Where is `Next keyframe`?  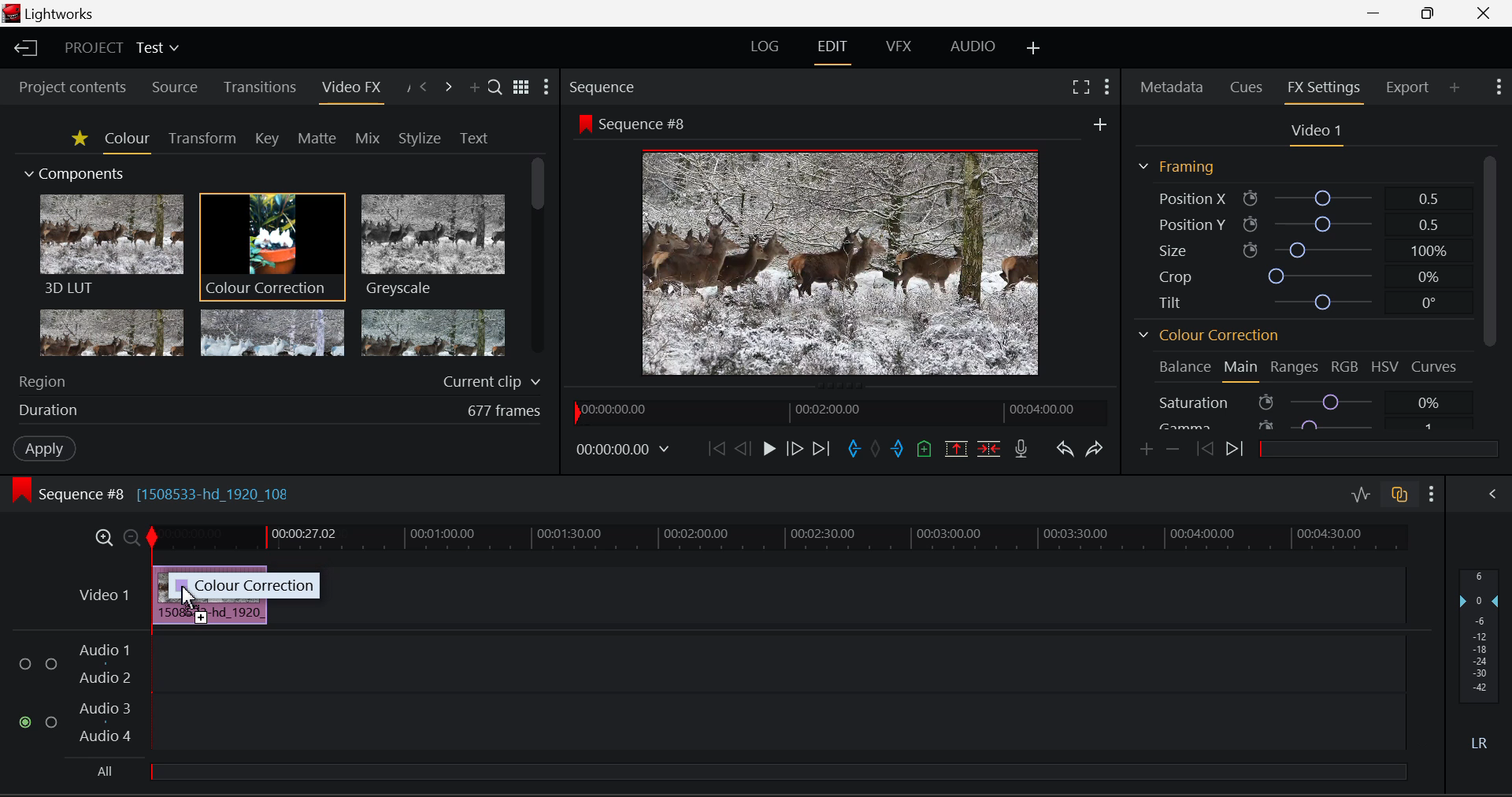
Next keyframe is located at coordinates (1235, 450).